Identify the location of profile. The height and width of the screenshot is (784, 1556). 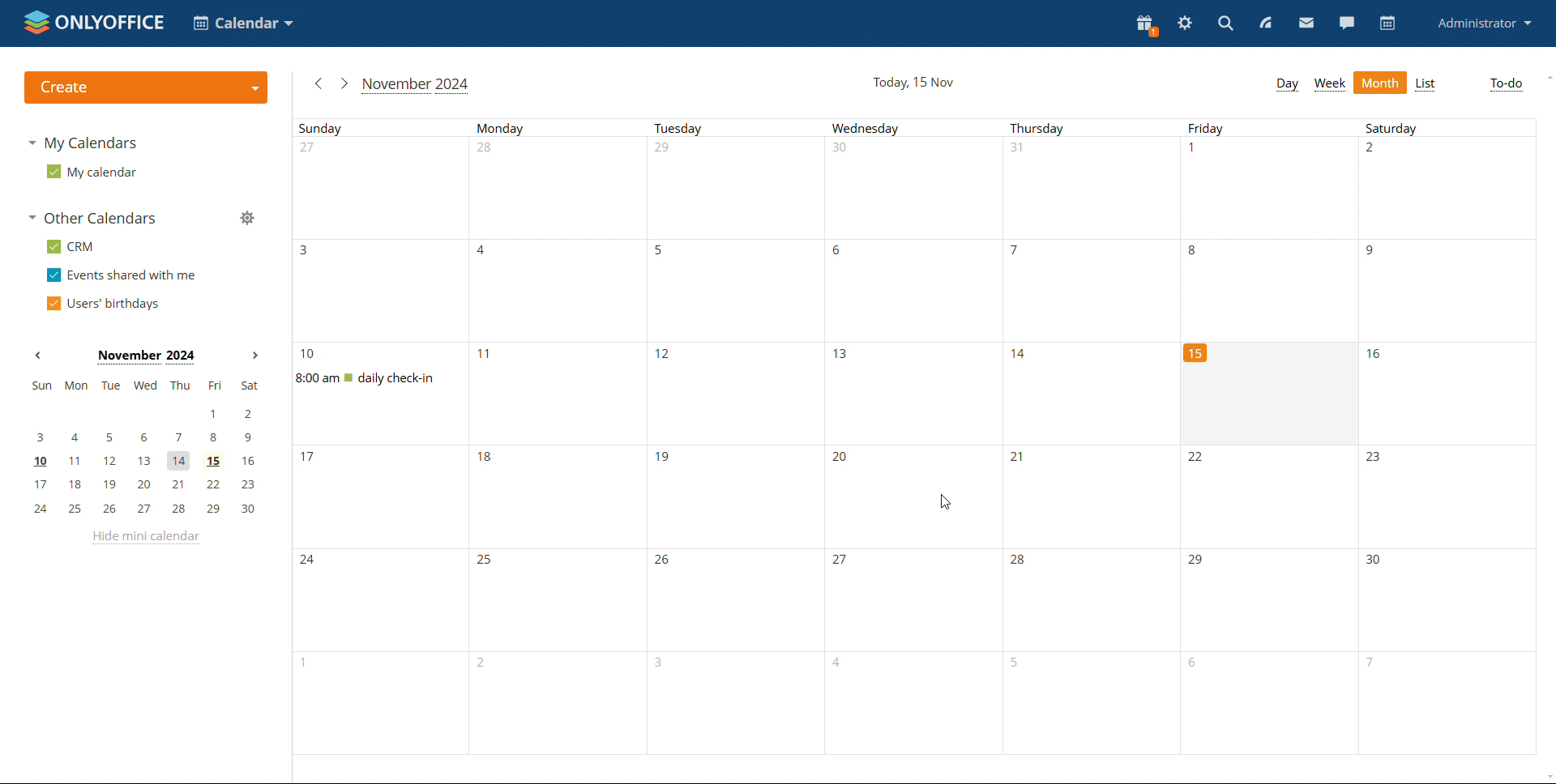
(1483, 24).